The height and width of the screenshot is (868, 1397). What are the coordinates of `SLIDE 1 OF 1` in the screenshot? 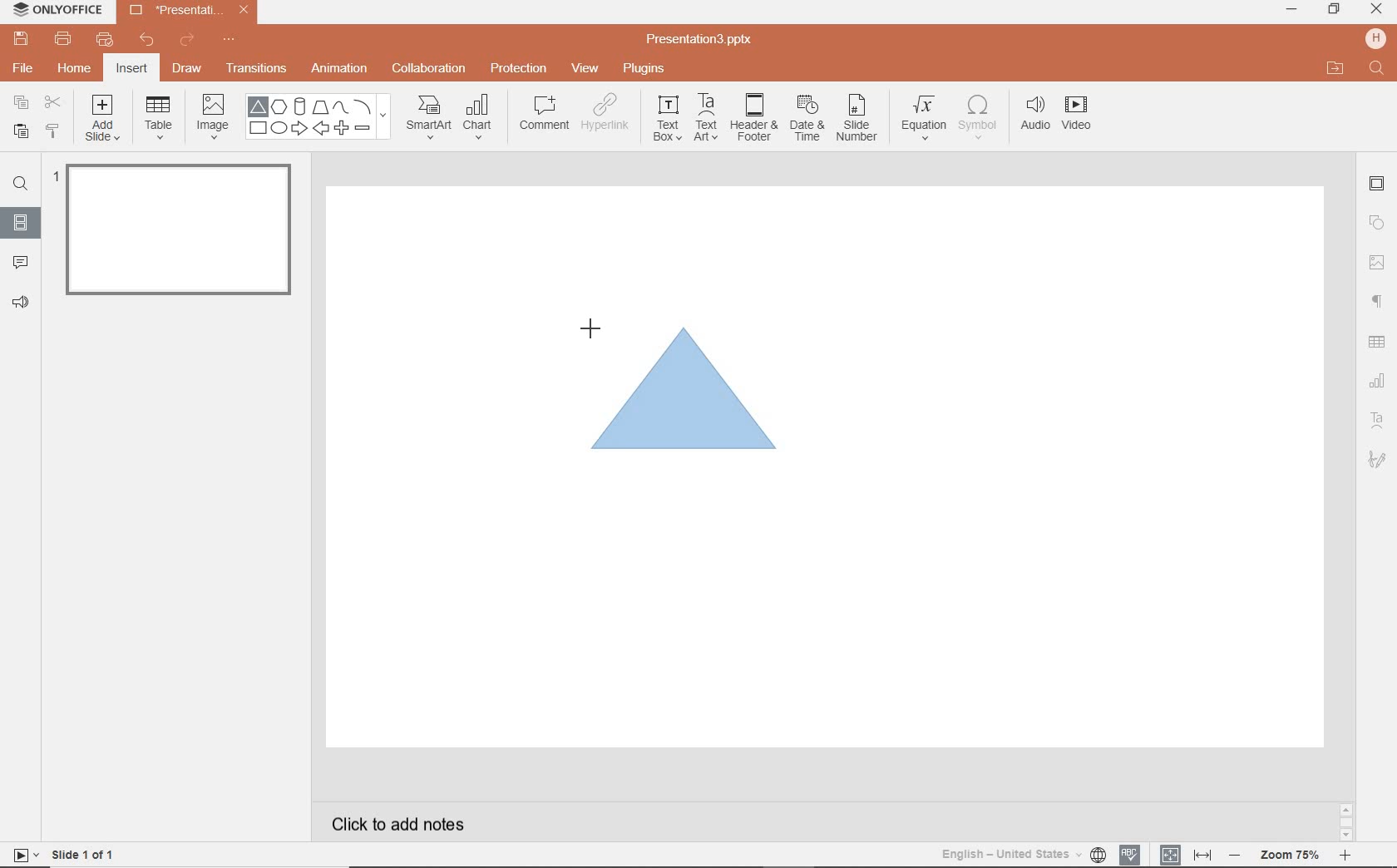 It's located at (86, 853).